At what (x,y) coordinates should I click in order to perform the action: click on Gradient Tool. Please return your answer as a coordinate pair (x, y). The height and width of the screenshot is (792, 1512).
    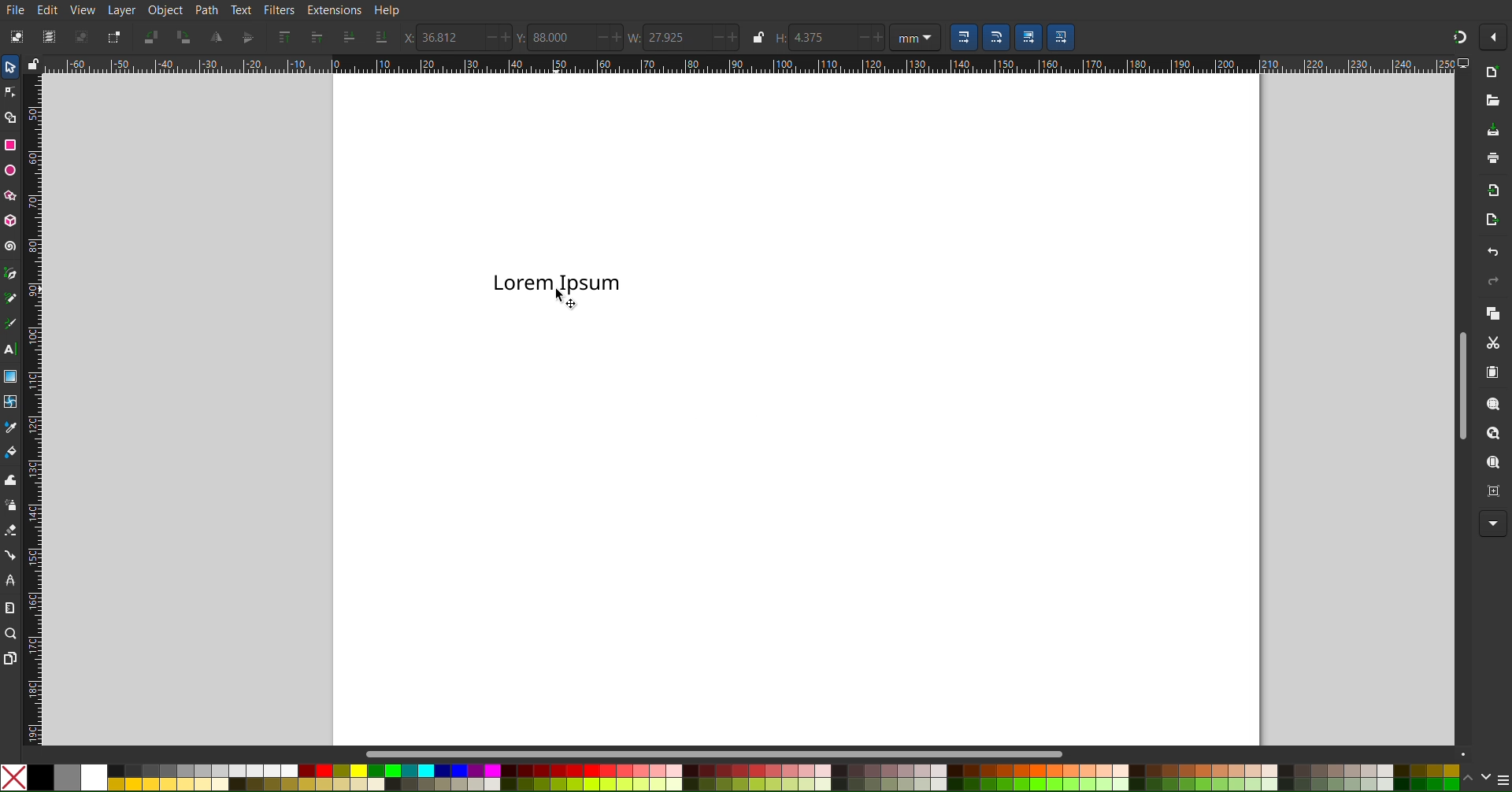
    Looking at the image, I should click on (10, 376).